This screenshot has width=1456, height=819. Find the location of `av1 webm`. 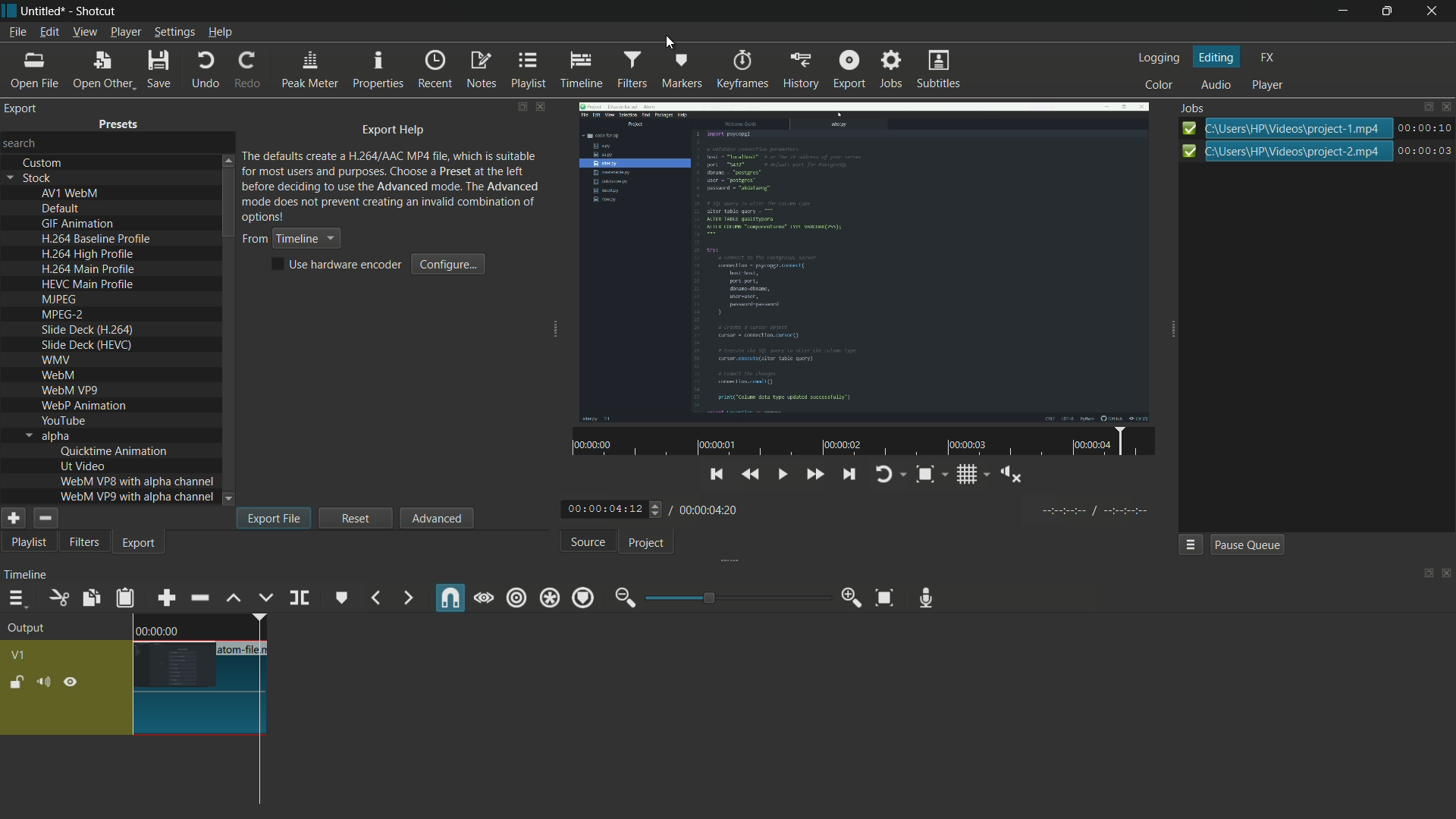

av1 webm is located at coordinates (70, 193).